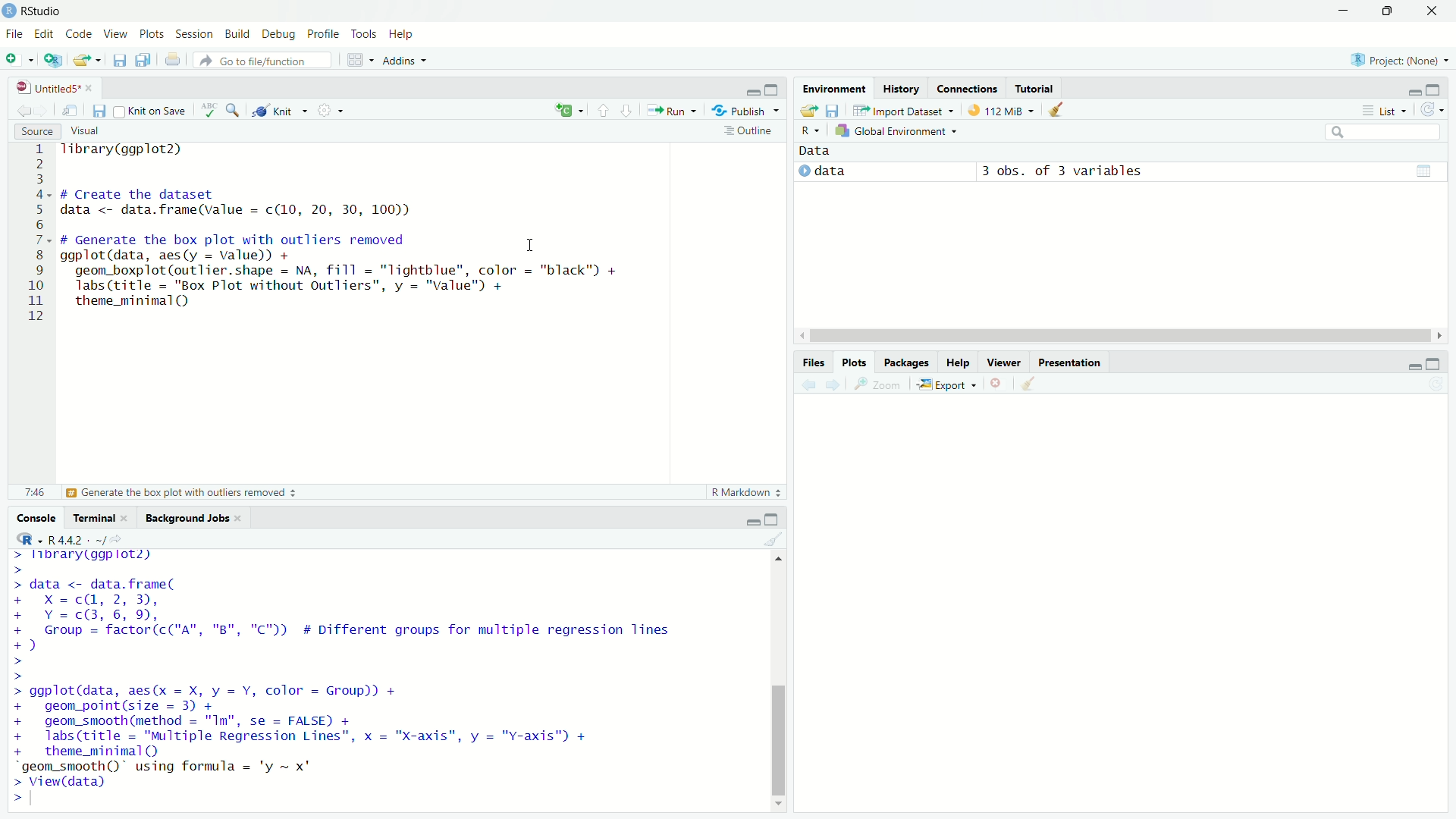 Image resolution: width=1456 pixels, height=819 pixels. Describe the element at coordinates (881, 386) in the screenshot. I see `zoom` at that location.